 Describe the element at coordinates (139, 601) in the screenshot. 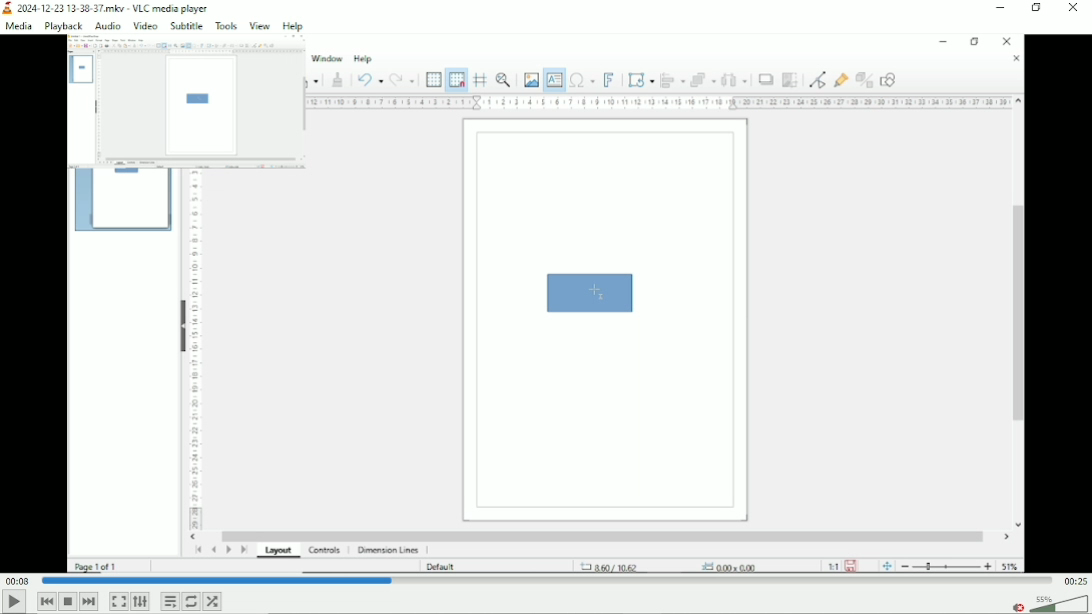

I see `Show extended settings` at that location.